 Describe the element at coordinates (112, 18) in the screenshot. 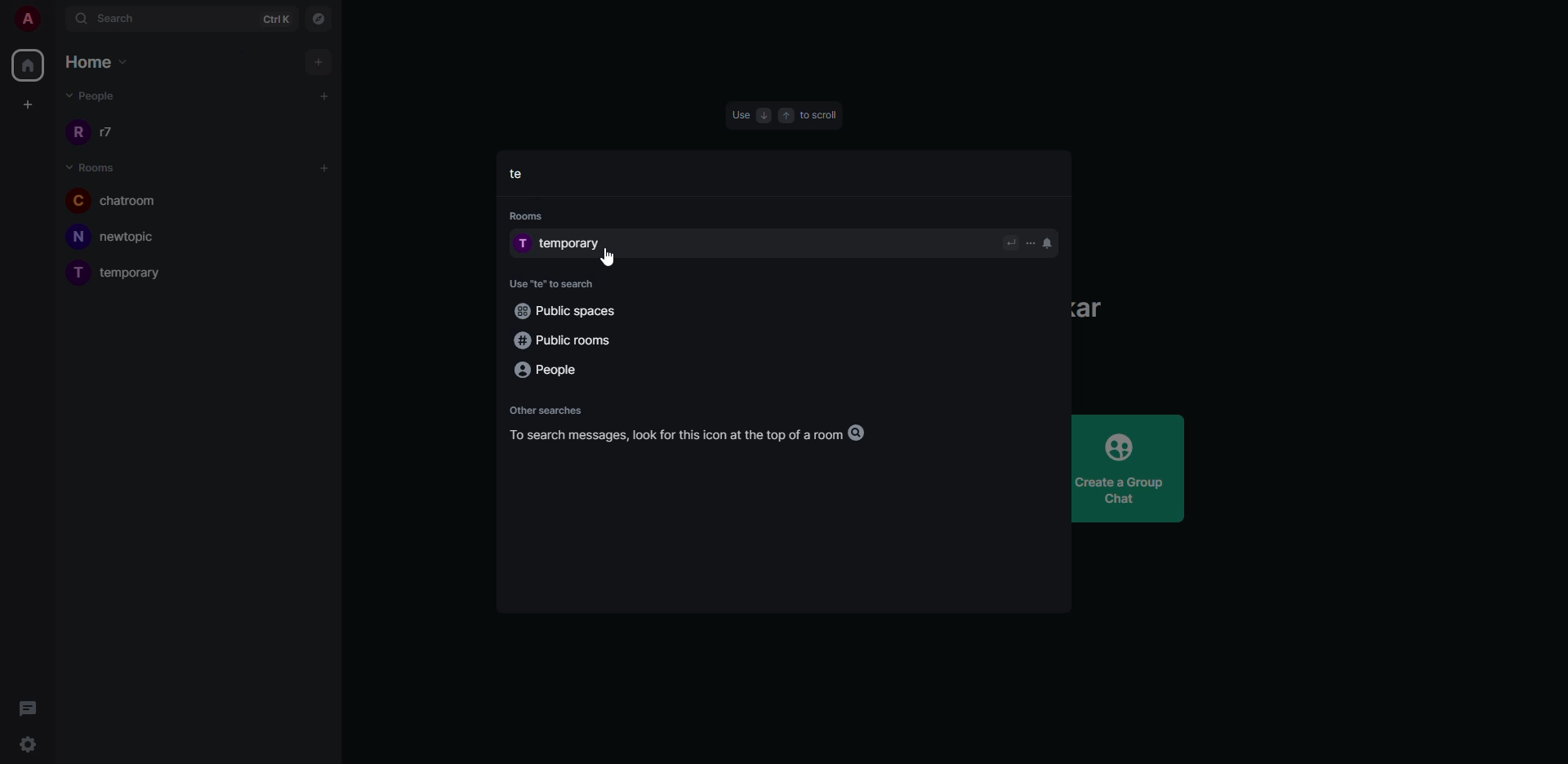

I see `search` at that location.